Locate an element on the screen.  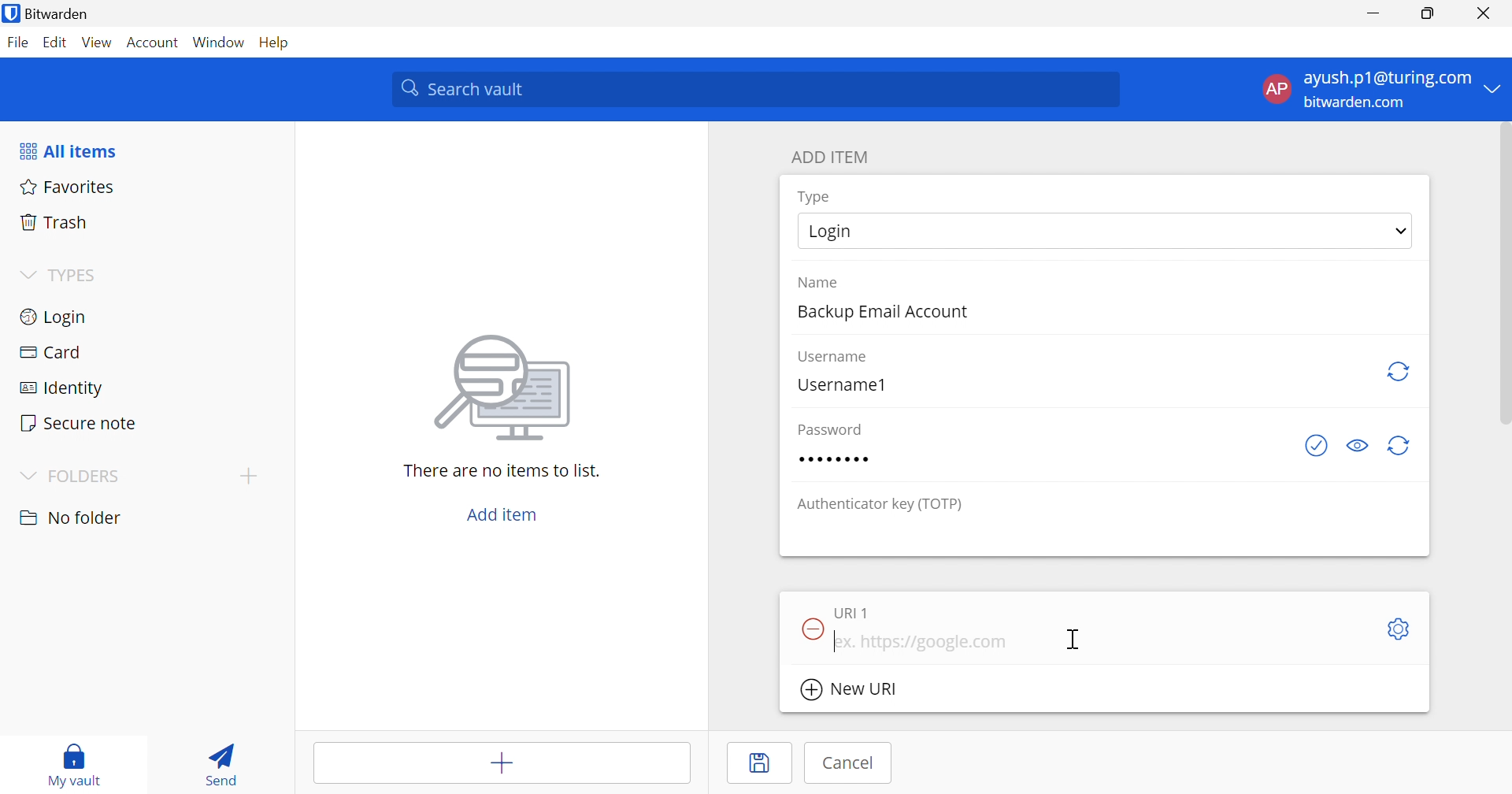
Edit is located at coordinates (55, 42).